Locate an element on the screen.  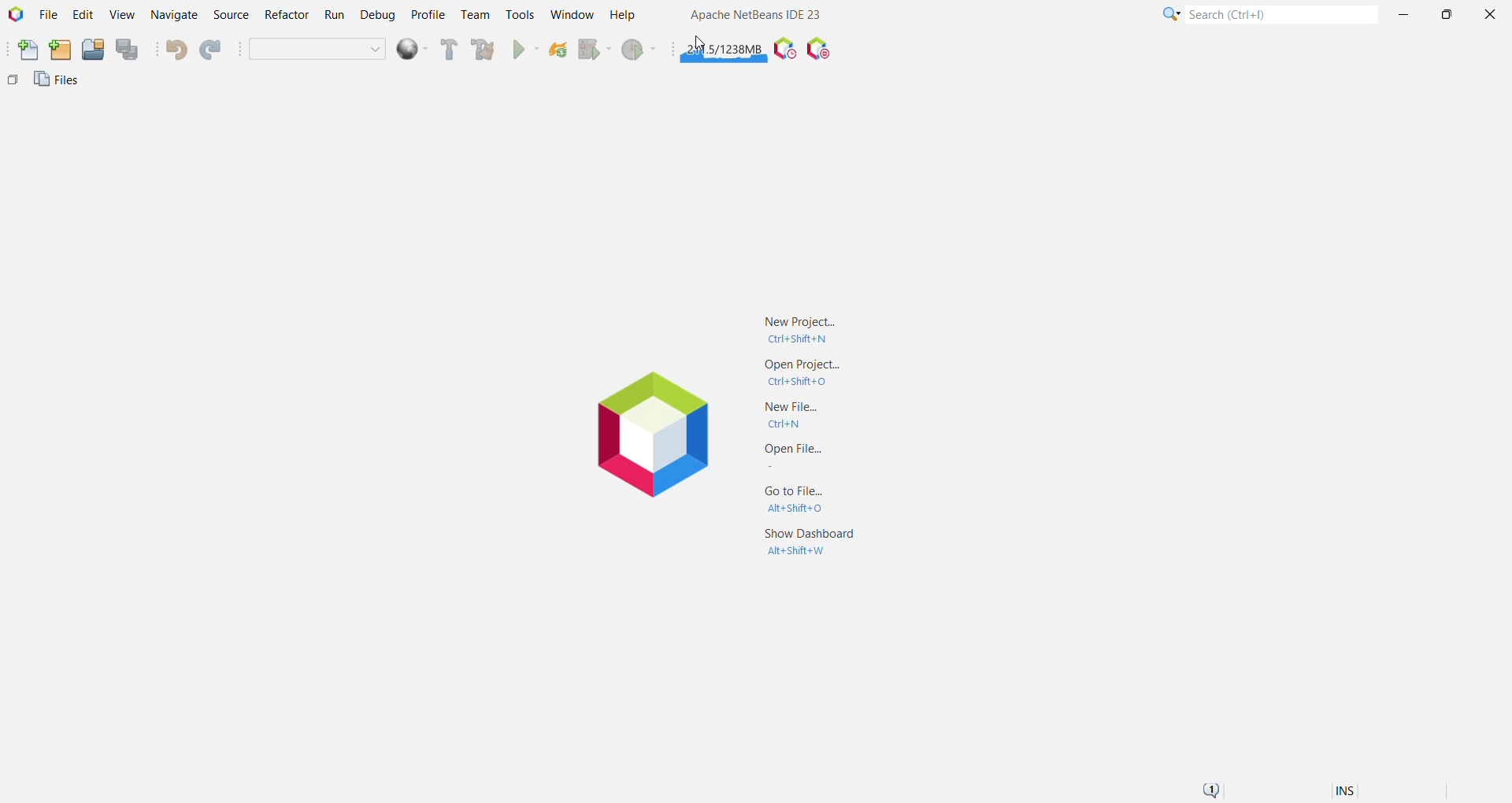
Help is located at coordinates (630, 17).